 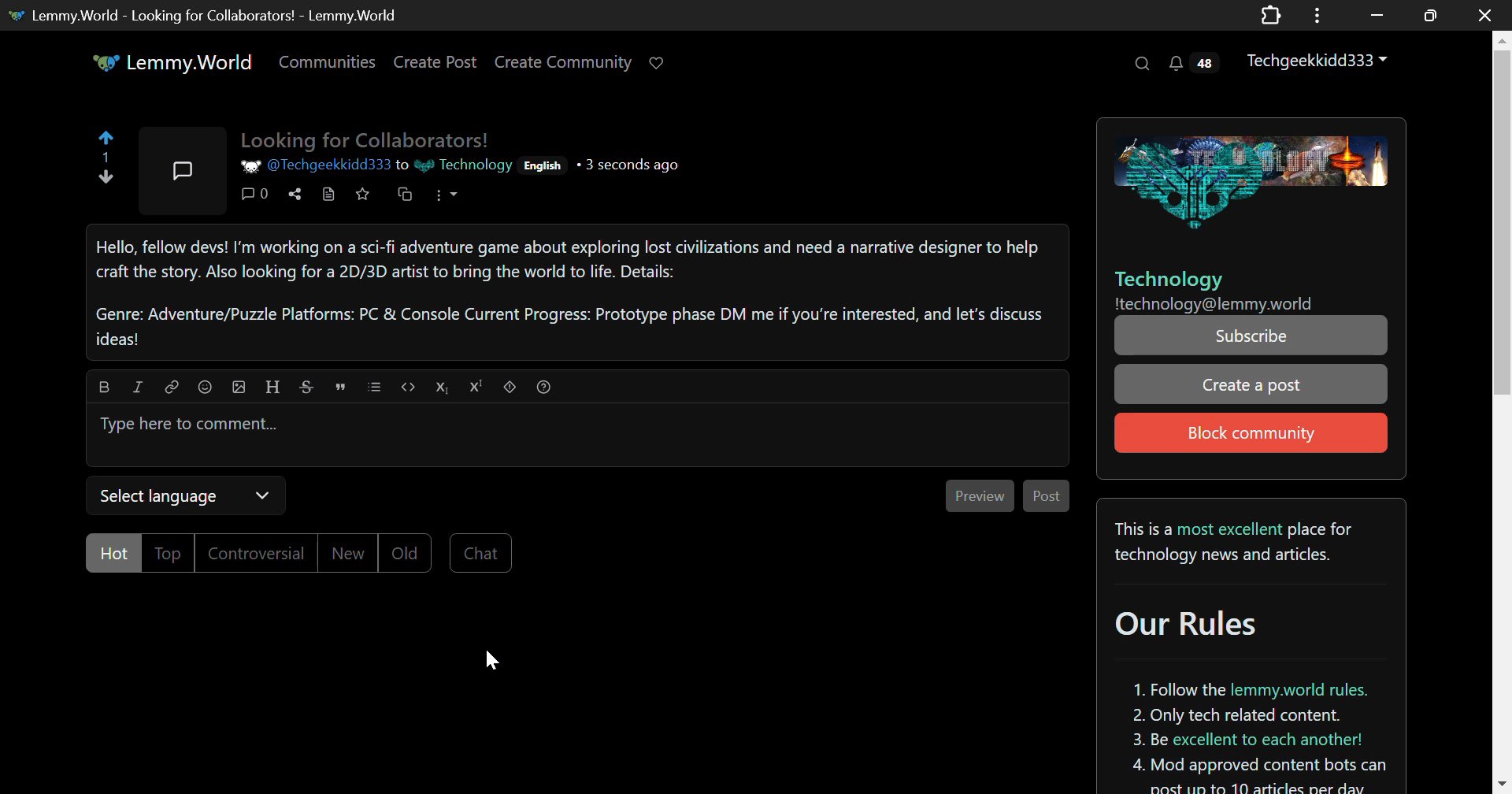 I want to click on italic, so click(x=136, y=386).